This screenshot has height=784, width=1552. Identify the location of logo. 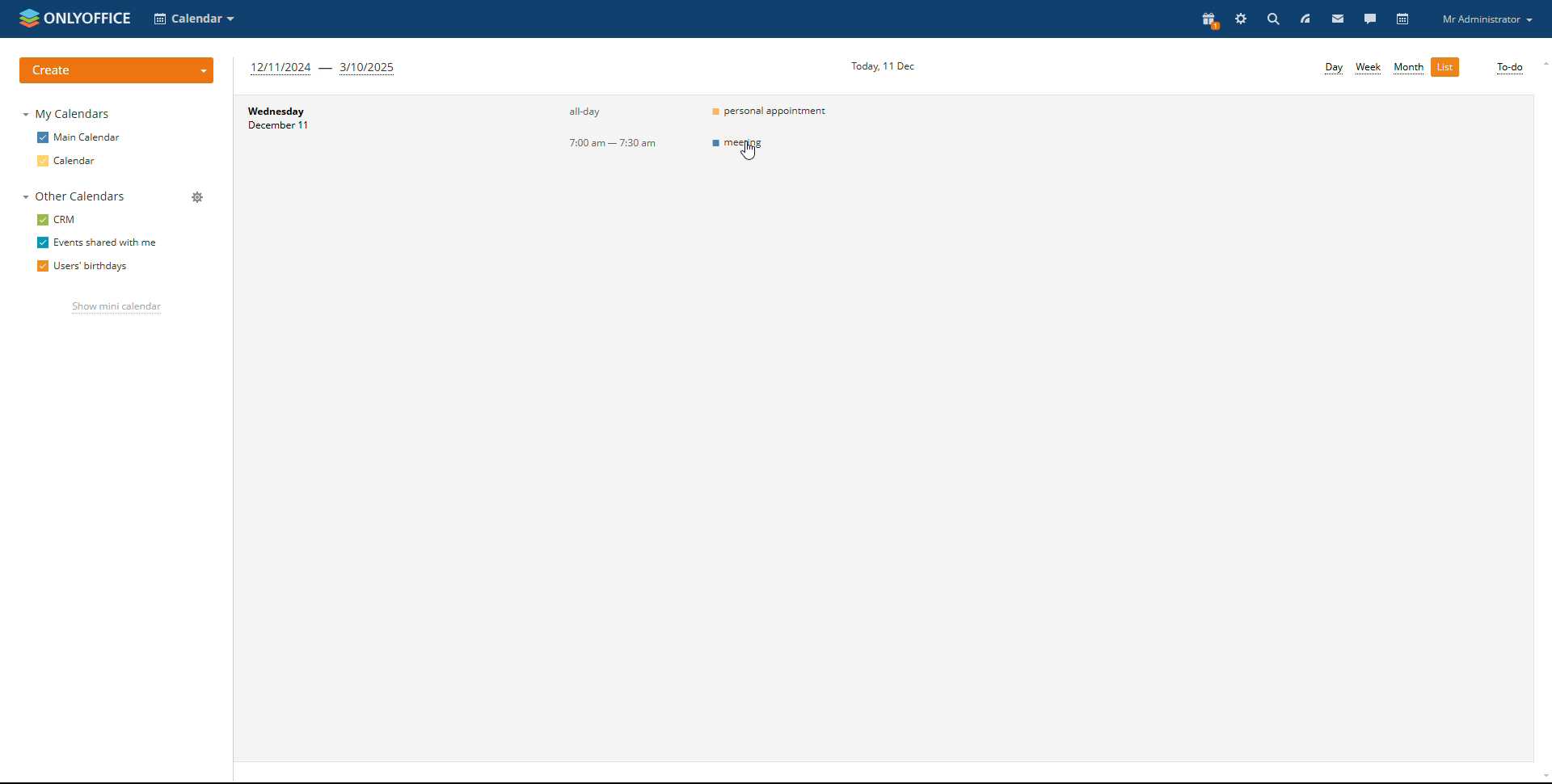
(74, 16).